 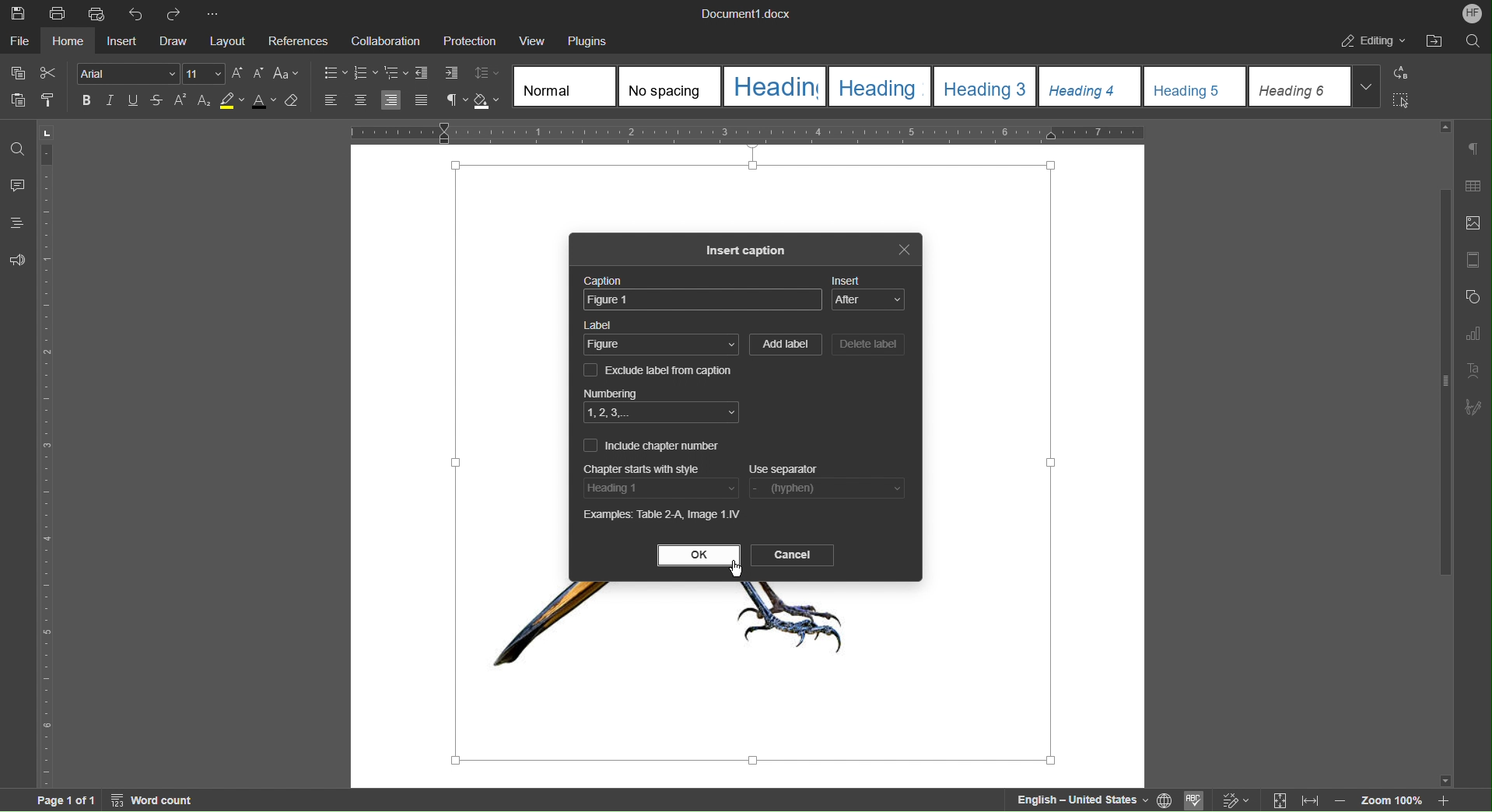 I want to click on Shape Settings, so click(x=1472, y=295).